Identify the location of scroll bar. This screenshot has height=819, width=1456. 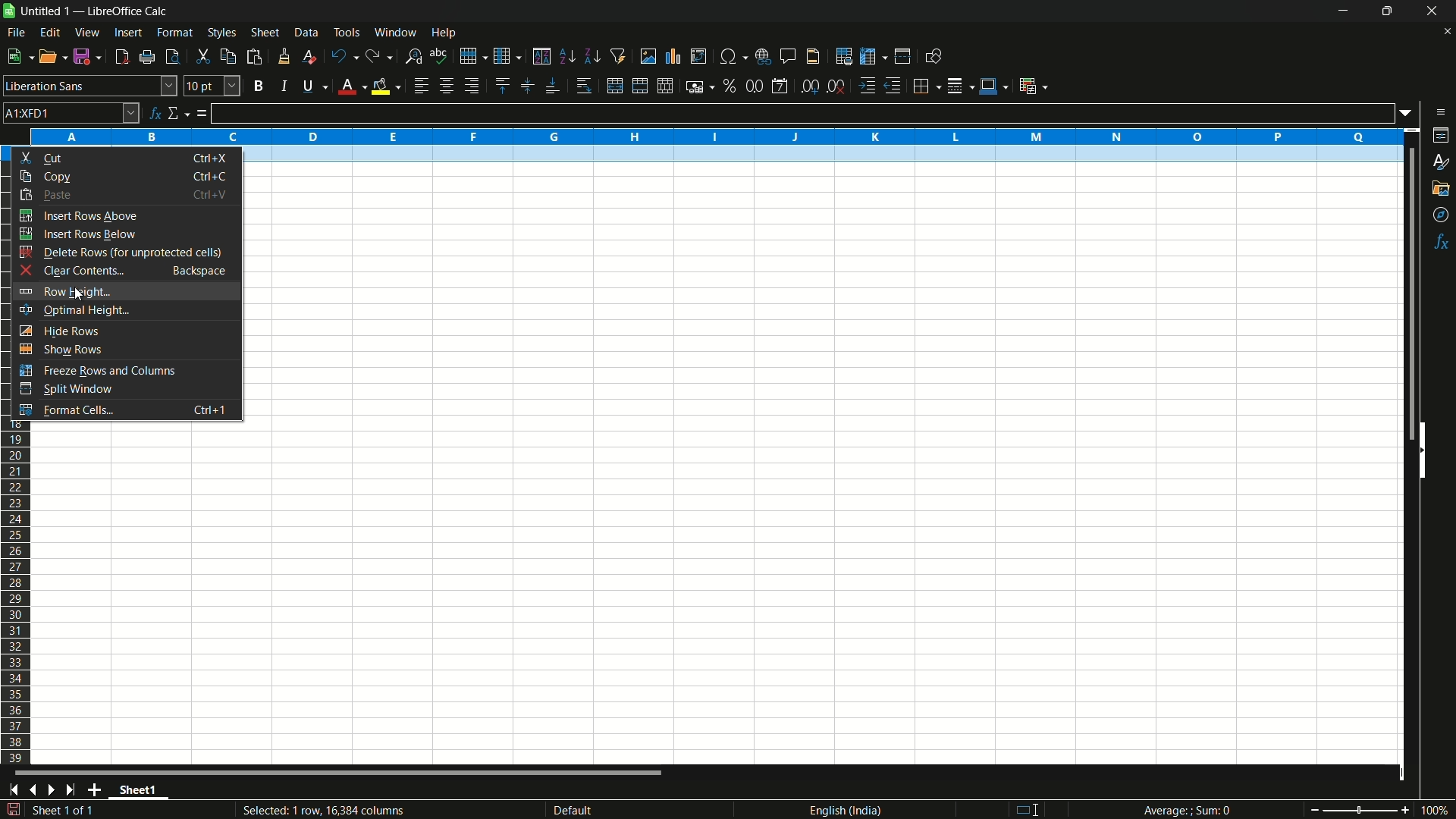
(1403, 294).